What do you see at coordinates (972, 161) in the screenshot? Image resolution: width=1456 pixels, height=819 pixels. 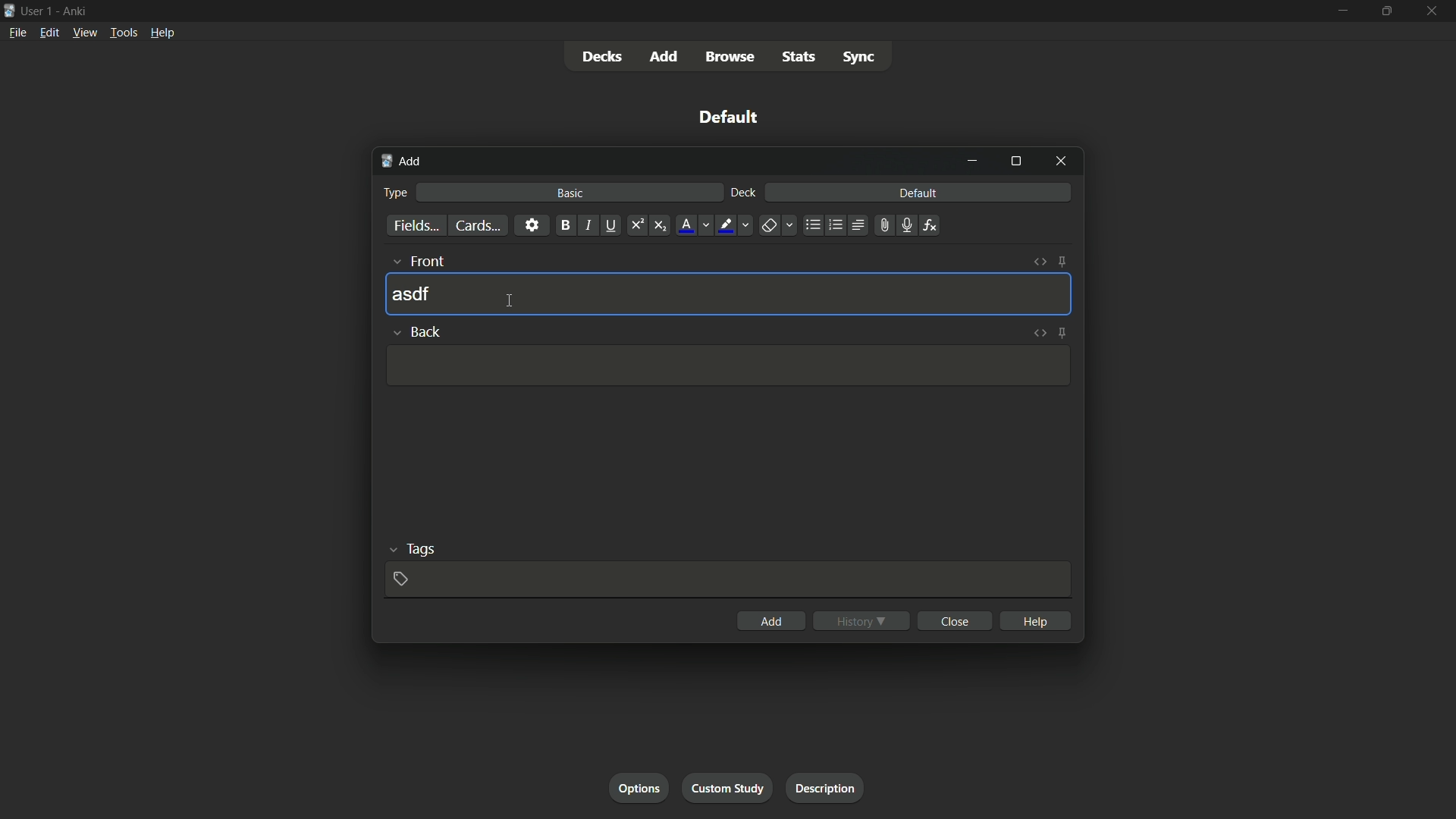 I see `minimize` at bounding box center [972, 161].